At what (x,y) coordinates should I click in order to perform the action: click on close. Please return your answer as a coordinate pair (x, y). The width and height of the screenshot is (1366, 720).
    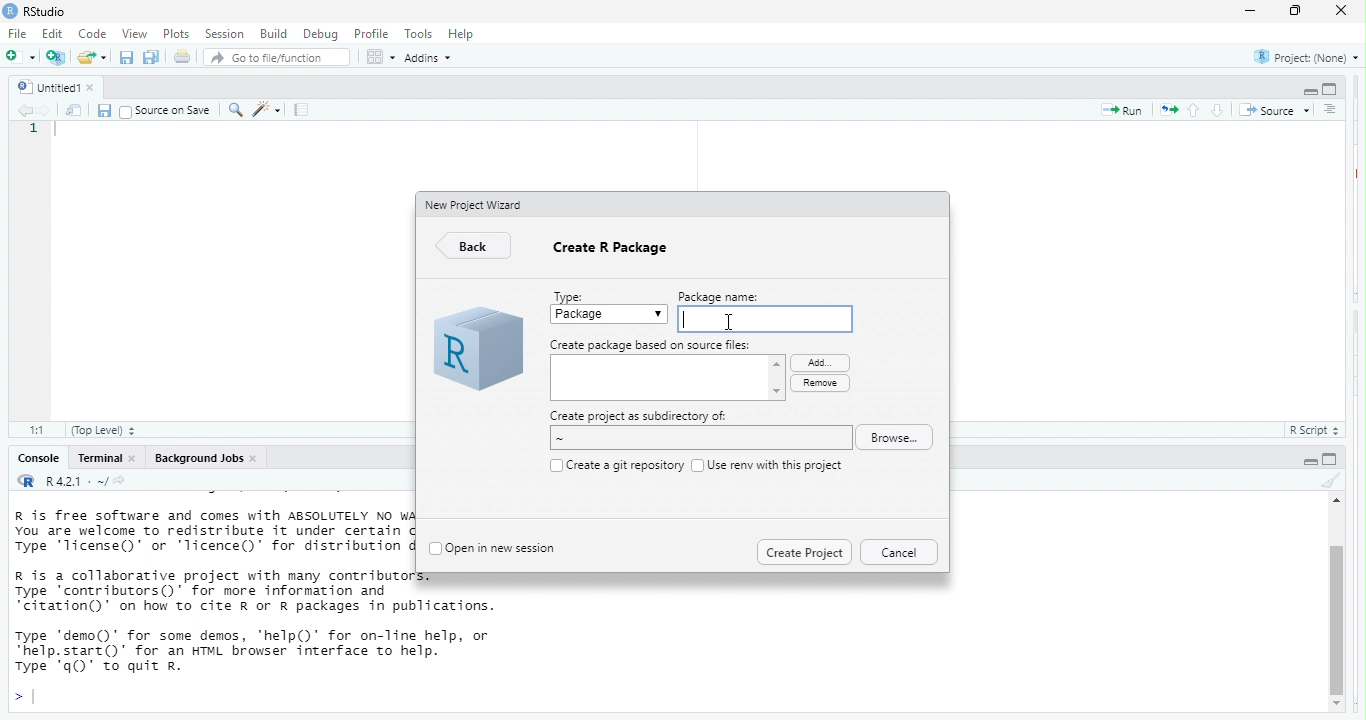
    Looking at the image, I should click on (258, 458).